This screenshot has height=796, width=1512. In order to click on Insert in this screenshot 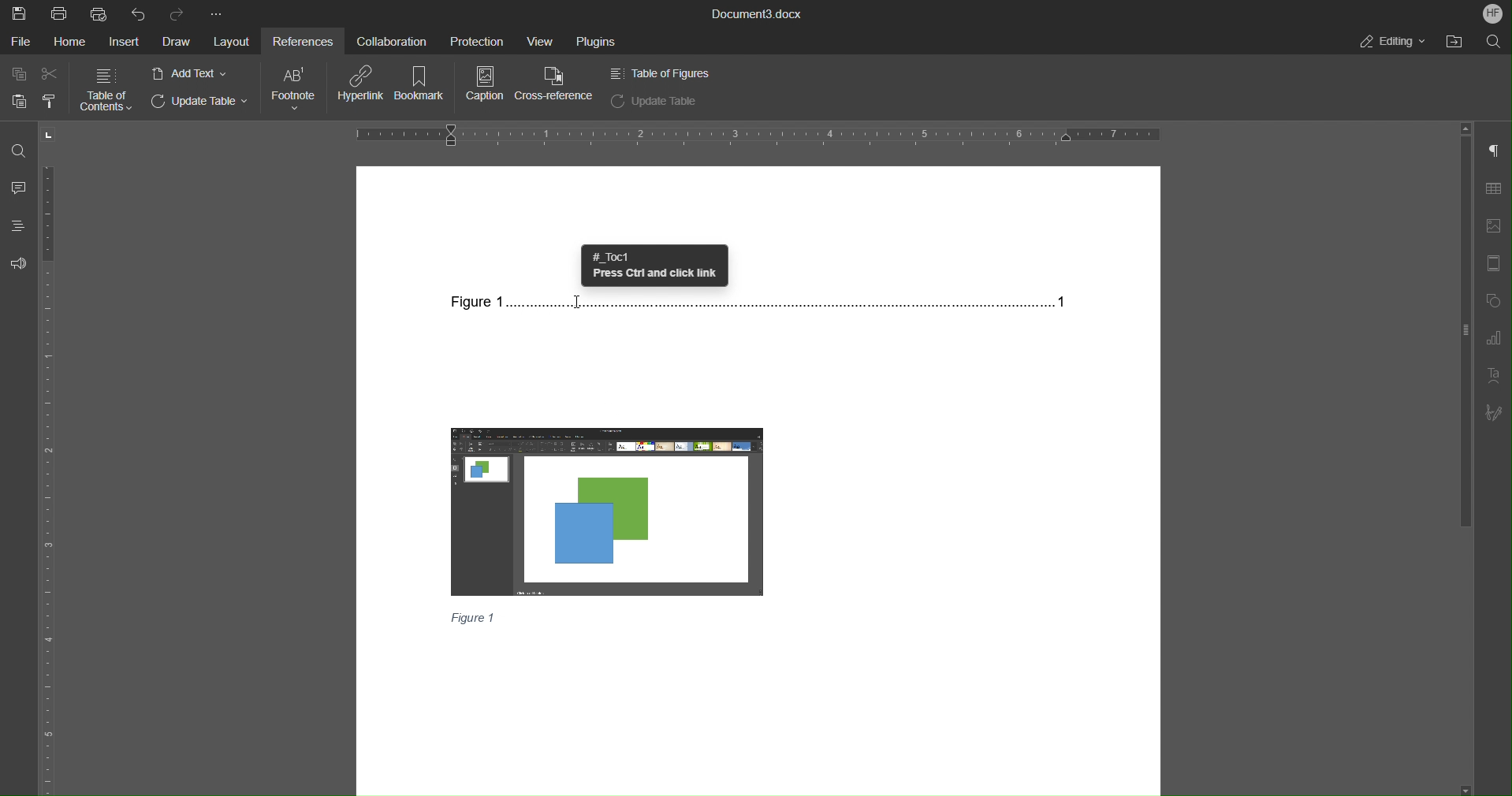, I will do `click(123, 42)`.